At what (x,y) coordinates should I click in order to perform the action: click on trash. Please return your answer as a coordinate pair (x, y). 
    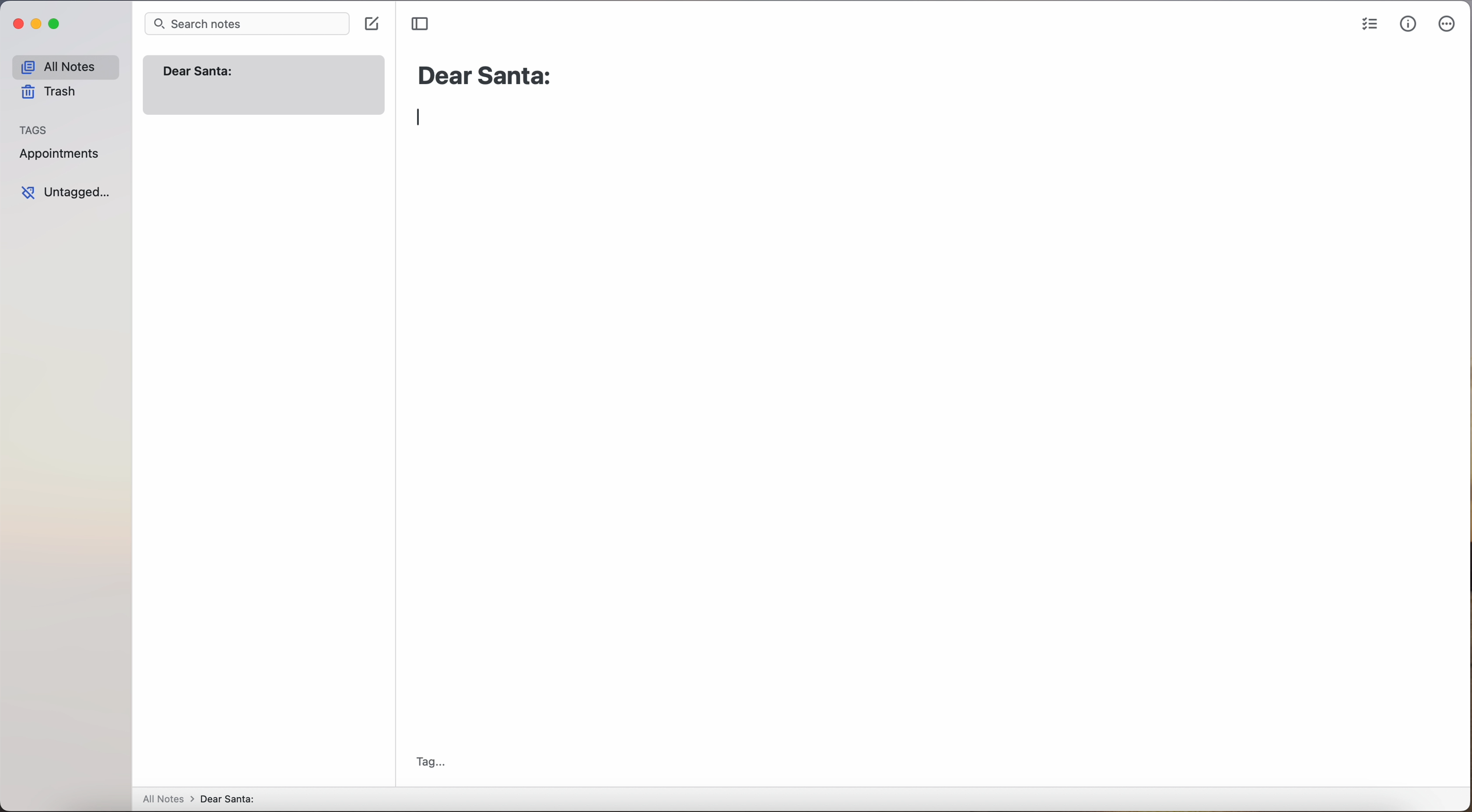
    Looking at the image, I should click on (54, 91).